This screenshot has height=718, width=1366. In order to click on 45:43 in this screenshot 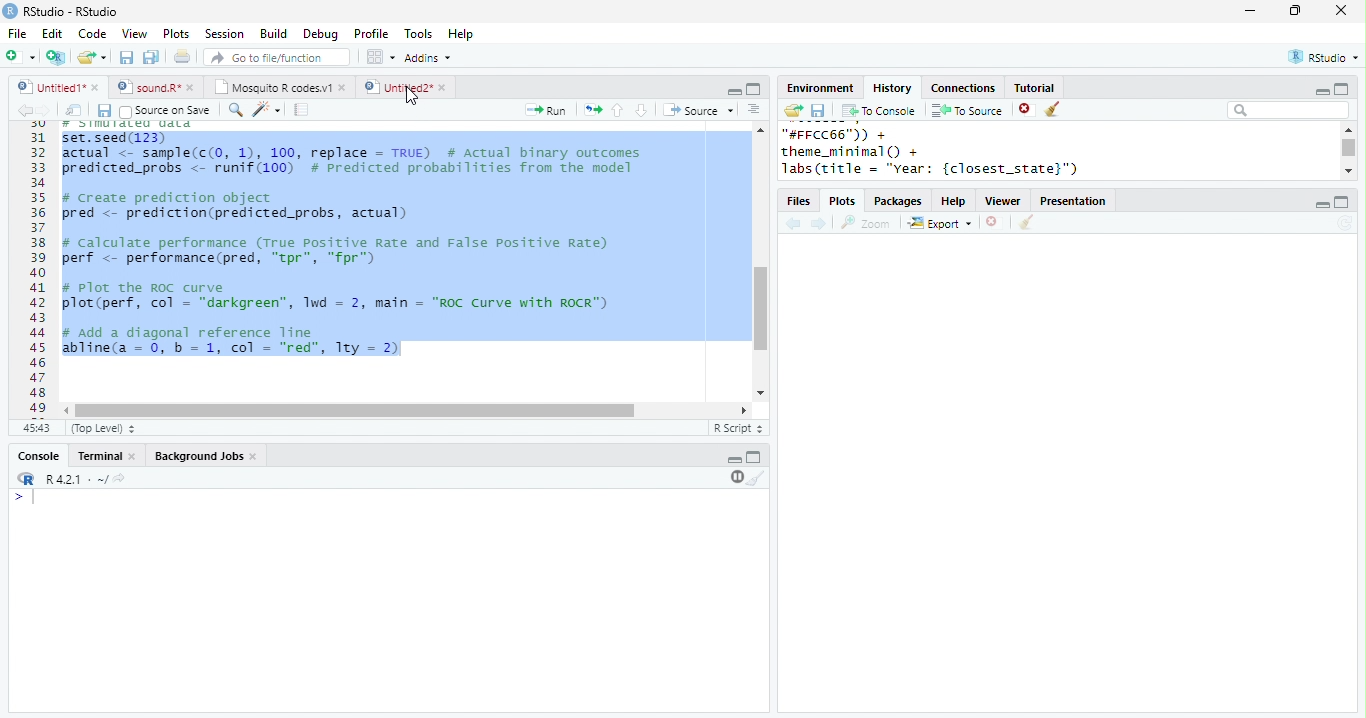, I will do `click(36, 427)`.